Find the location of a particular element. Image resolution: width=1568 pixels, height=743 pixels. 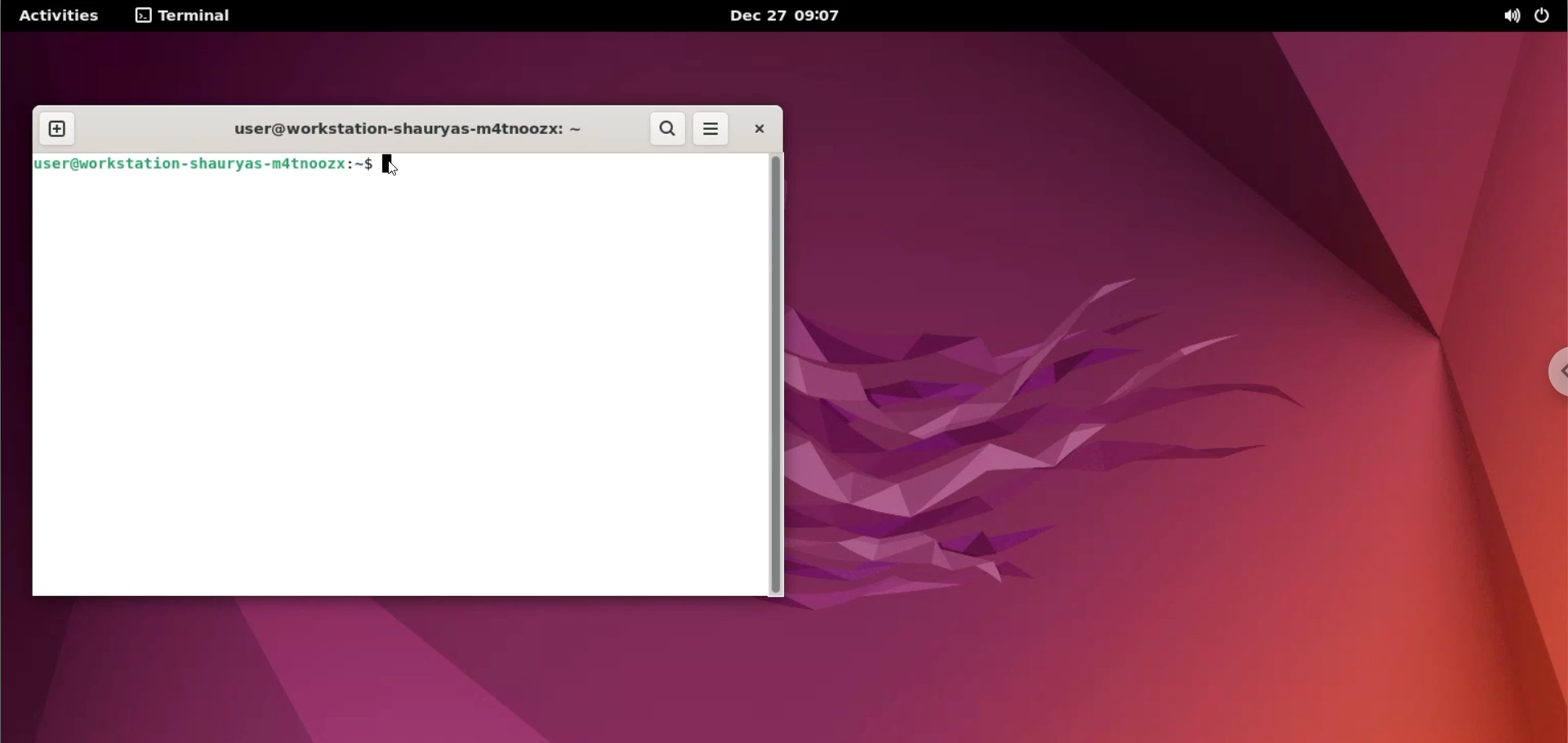

cursor is located at coordinates (388, 162).